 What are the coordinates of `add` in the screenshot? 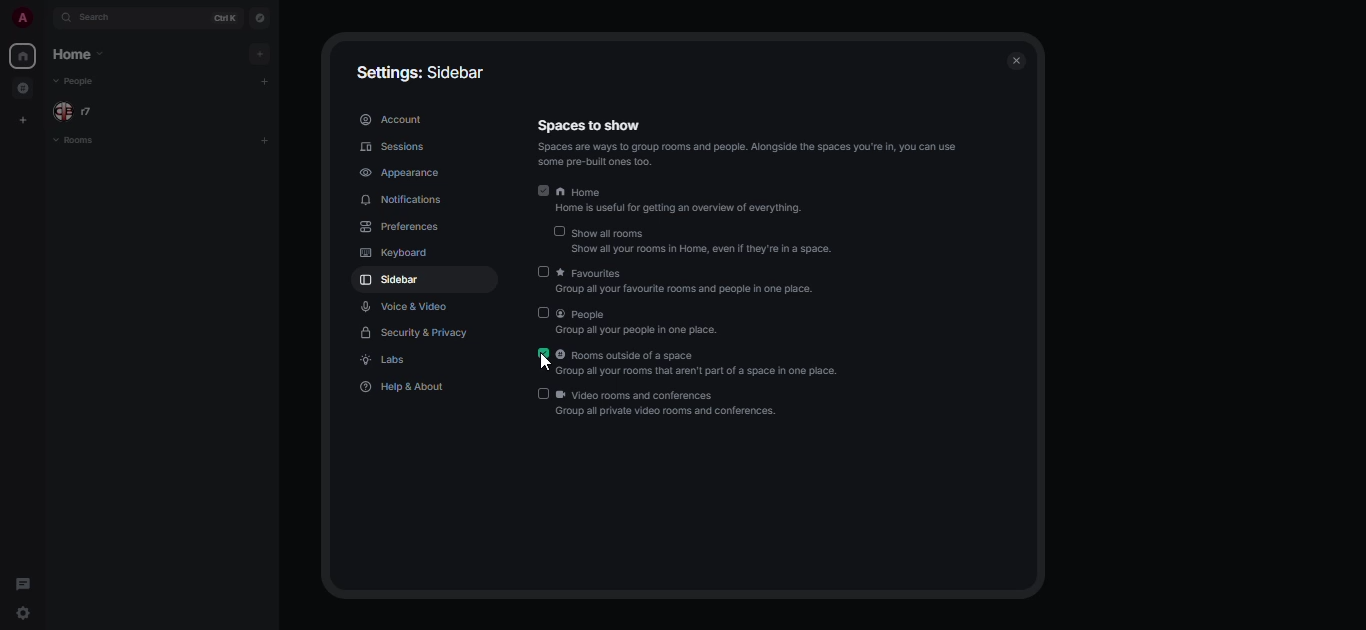 It's located at (257, 53).